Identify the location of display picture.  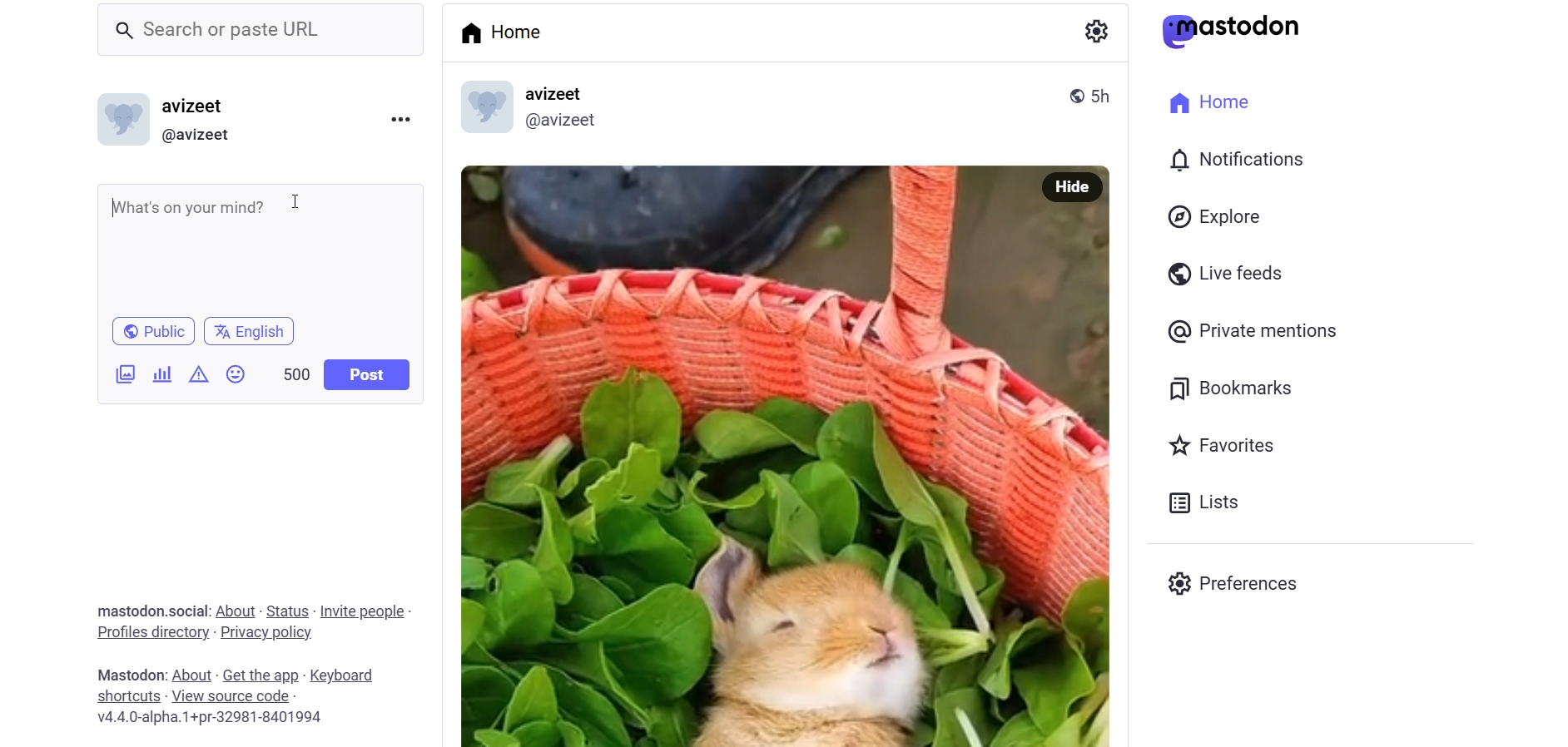
(120, 119).